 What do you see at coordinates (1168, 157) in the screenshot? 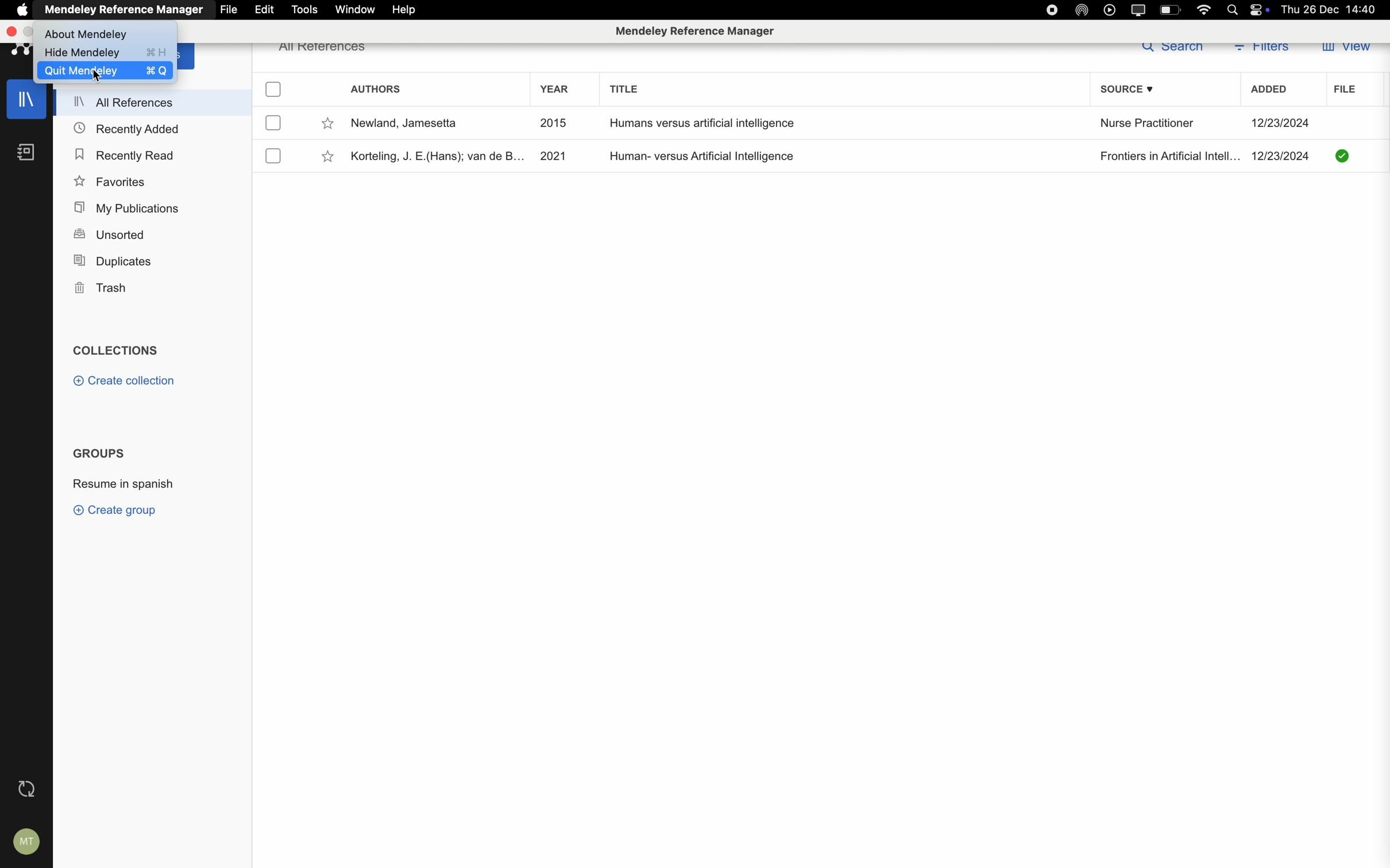
I see `Frontiers in Artificial Intelligence` at bounding box center [1168, 157].